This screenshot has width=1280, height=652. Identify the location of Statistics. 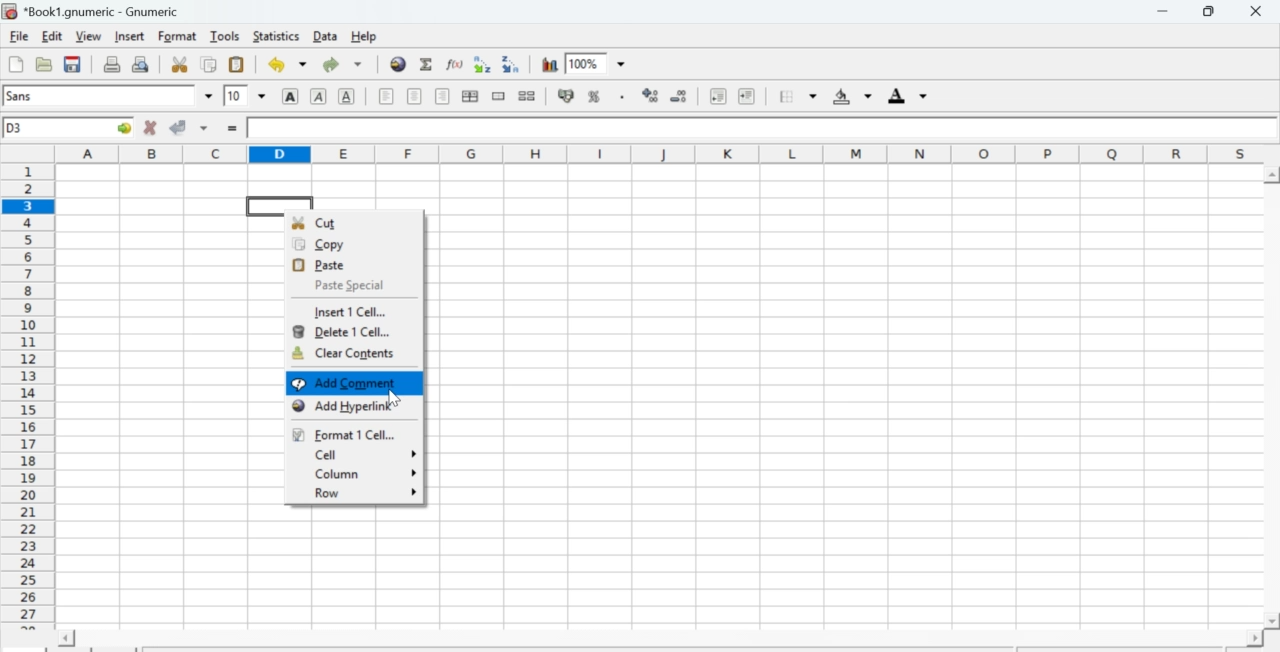
(278, 36).